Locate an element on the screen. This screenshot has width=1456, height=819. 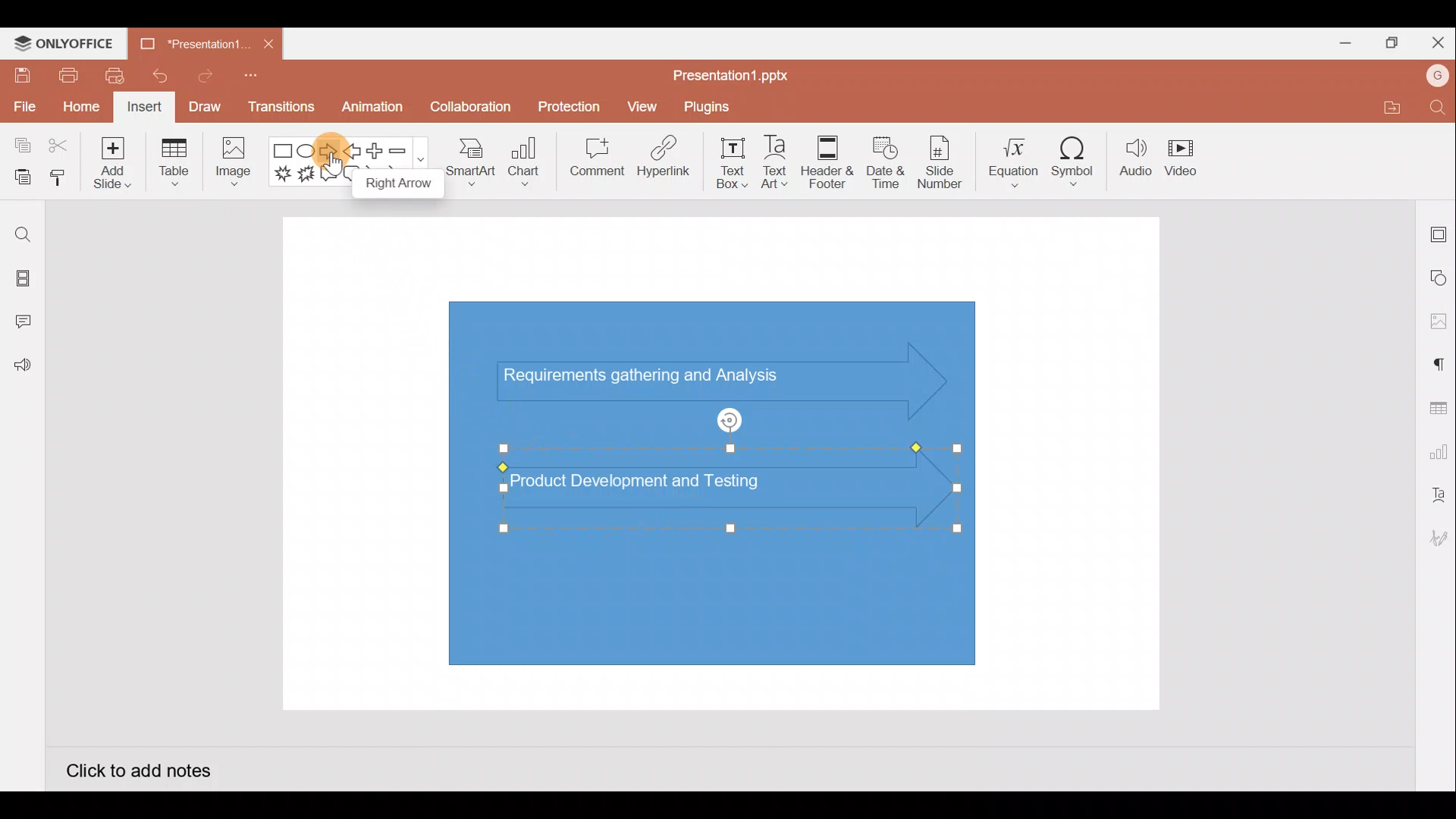
Find is located at coordinates (1439, 107).